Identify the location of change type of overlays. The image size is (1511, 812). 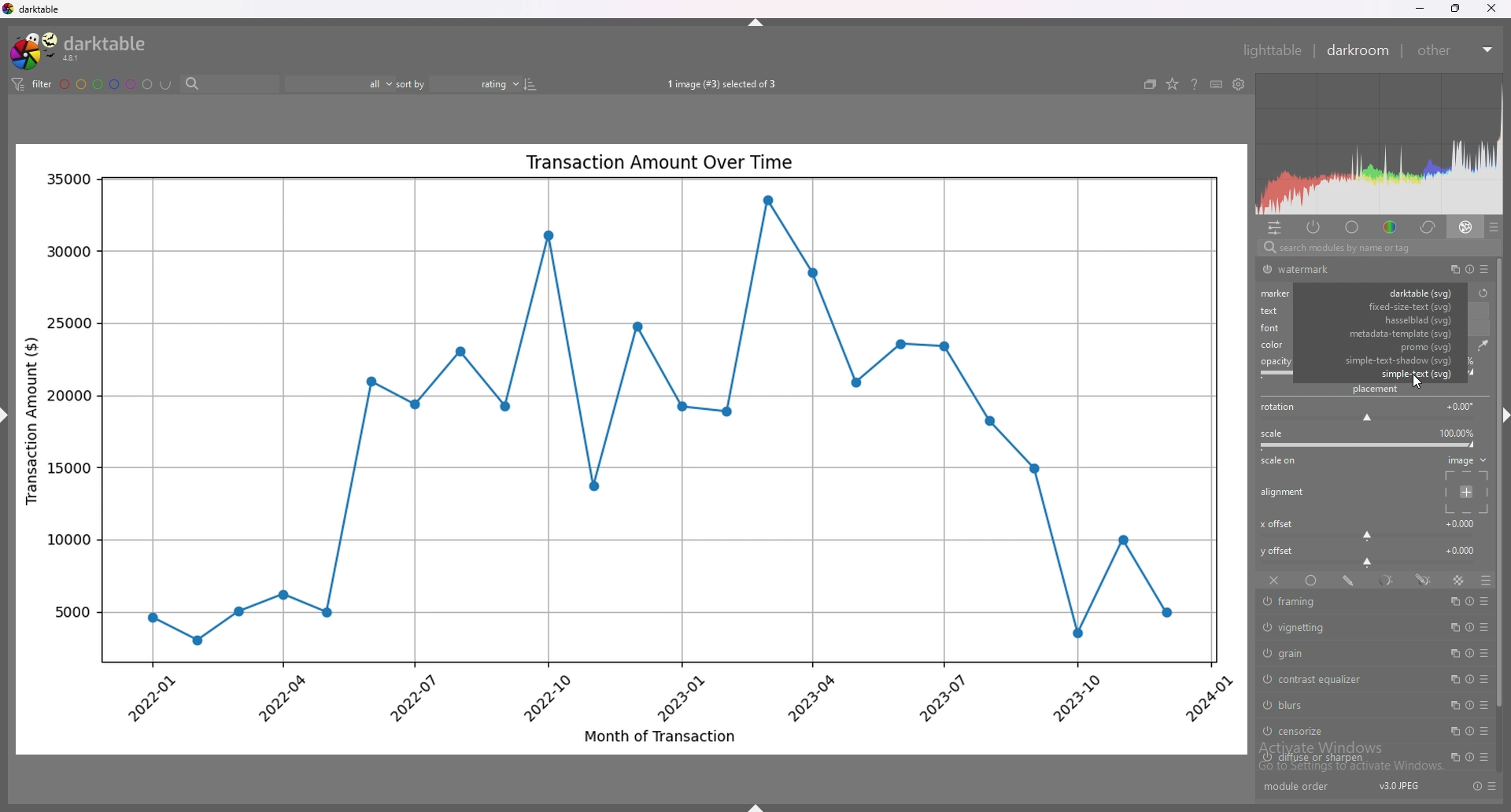
(1173, 85).